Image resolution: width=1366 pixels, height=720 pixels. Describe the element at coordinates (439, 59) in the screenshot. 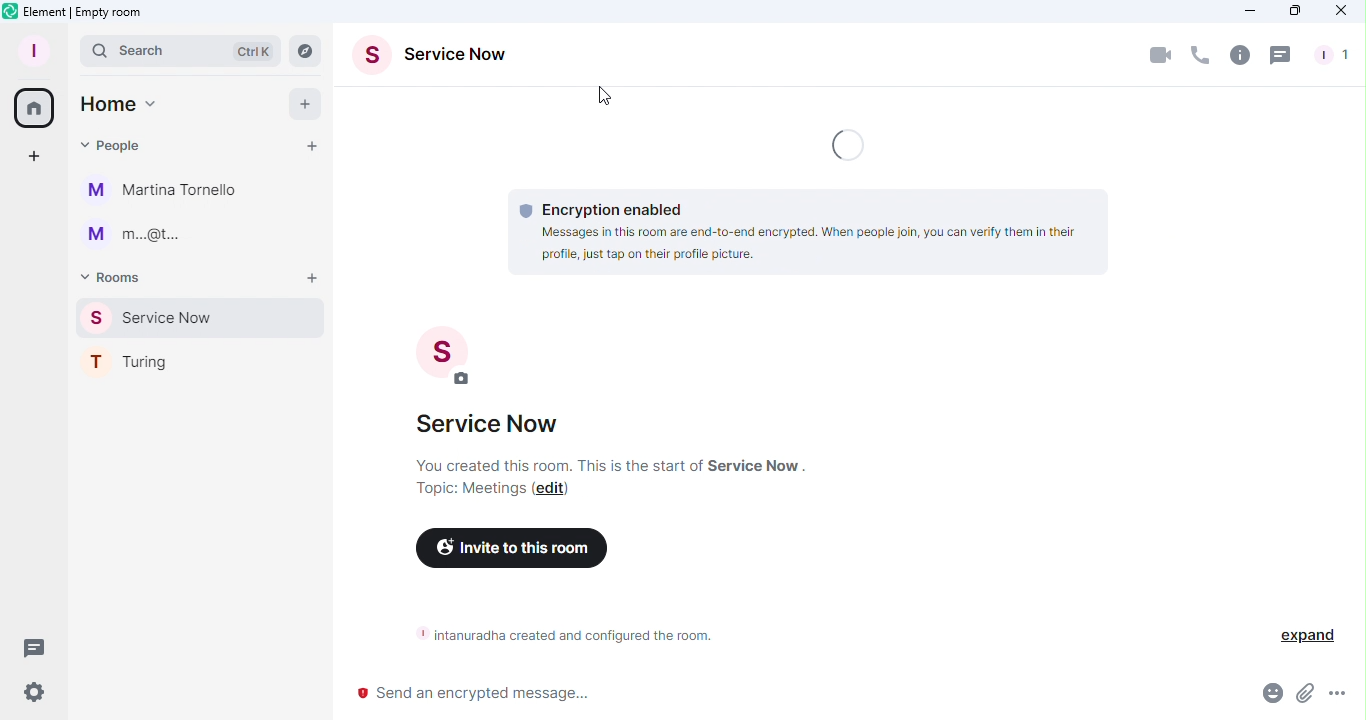

I see `Service now room` at that location.